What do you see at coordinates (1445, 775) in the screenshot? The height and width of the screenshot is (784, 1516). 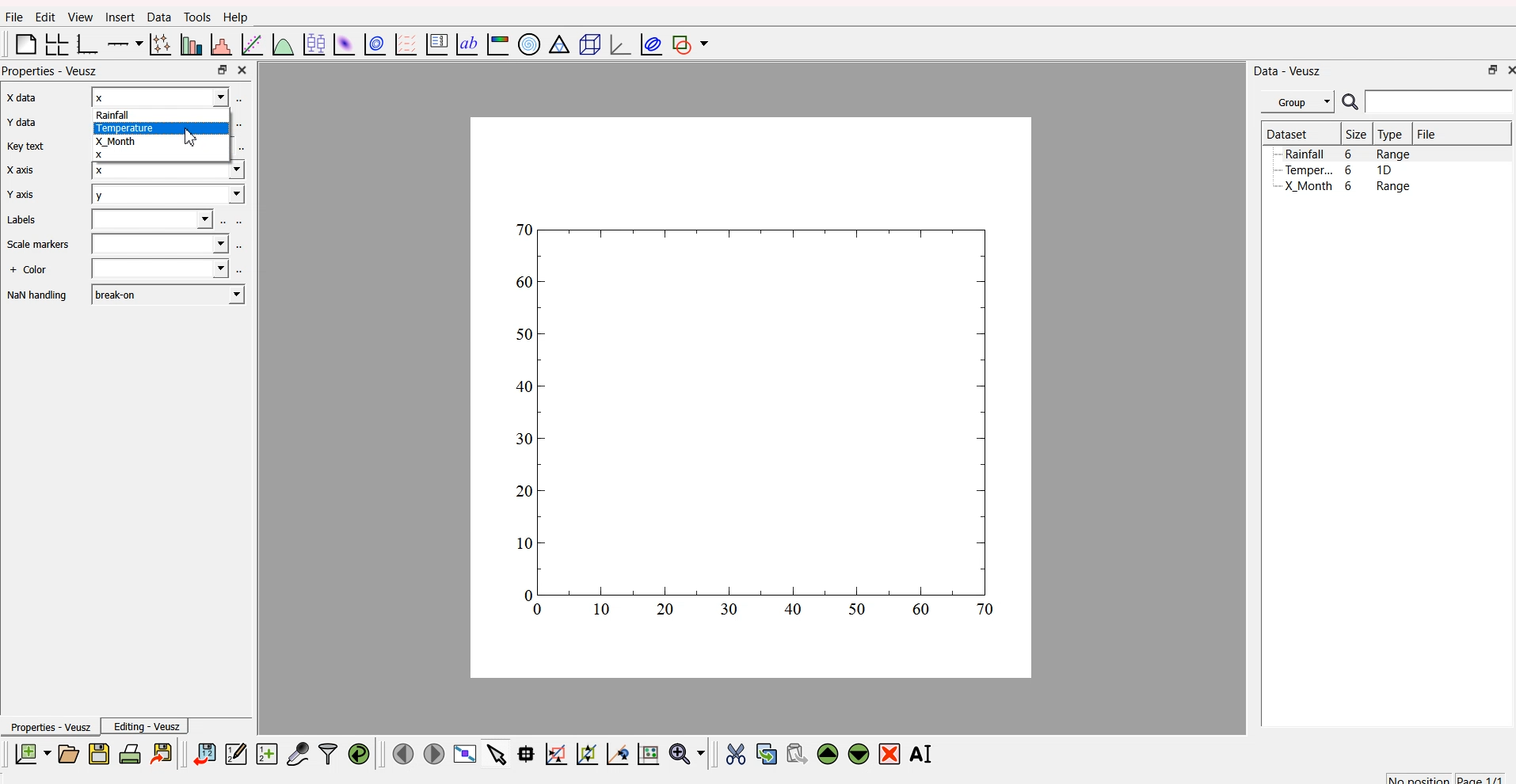 I see `no position page 1/1` at bounding box center [1445, 775].